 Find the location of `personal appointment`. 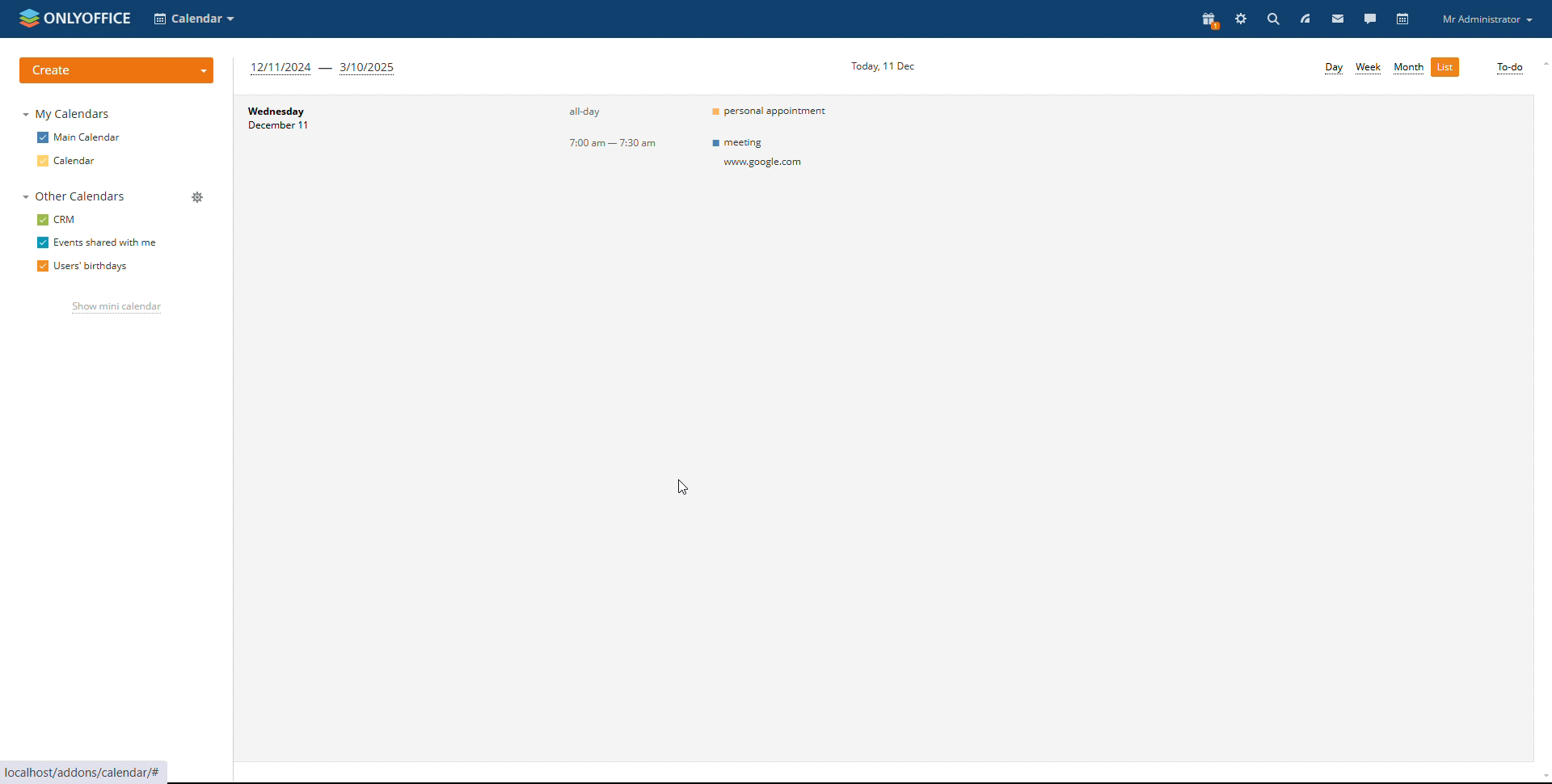

personal appointment is located at coordinates (773, 110).